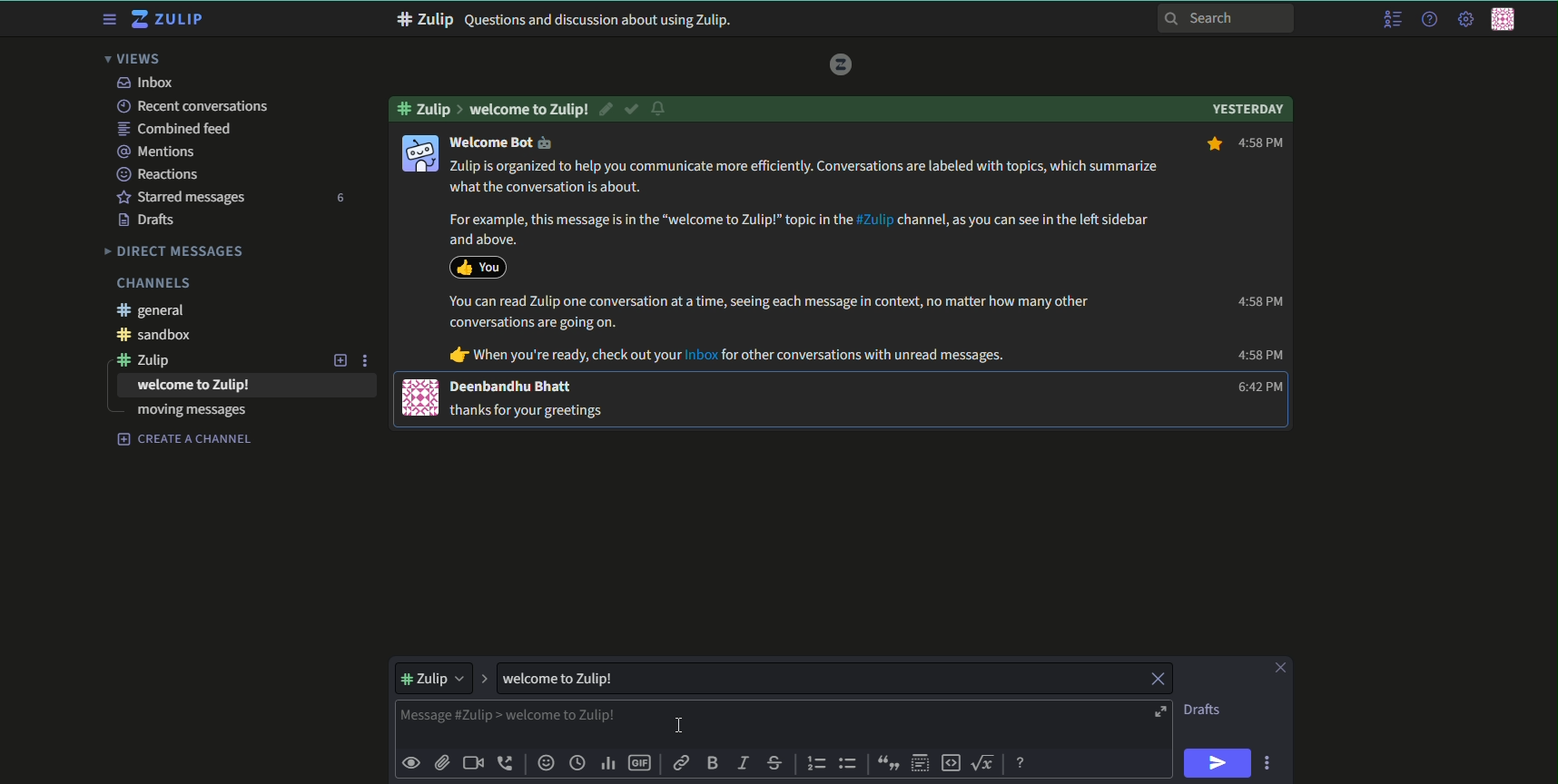 This screenshot has width=1558, height=784. What do you see at coordinates (153, 283) in the screenshot?
I see `Channels` at bounding box center [153, 283].